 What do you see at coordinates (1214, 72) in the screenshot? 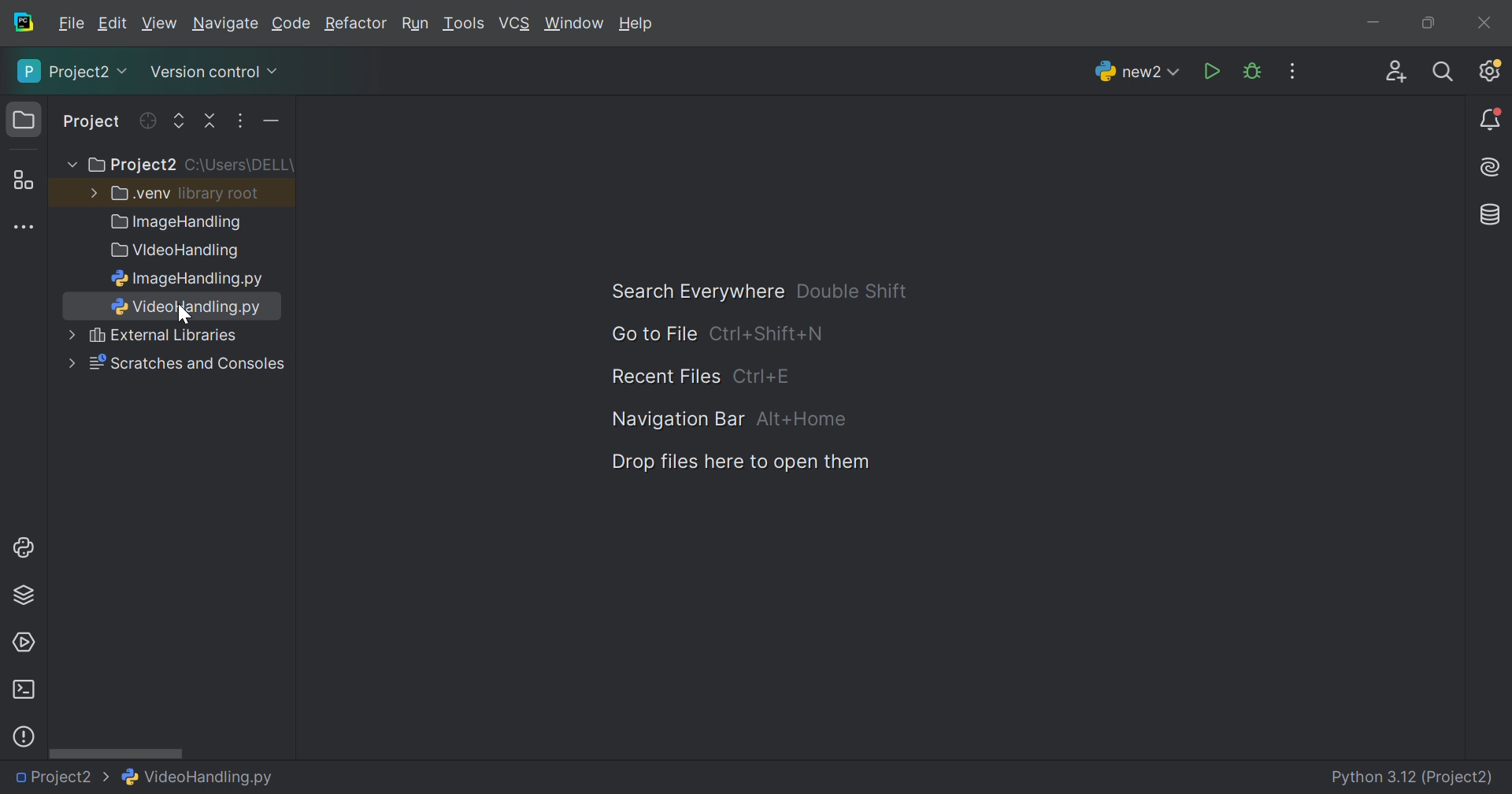
I see `Run` at bounding box center [1214, 72].